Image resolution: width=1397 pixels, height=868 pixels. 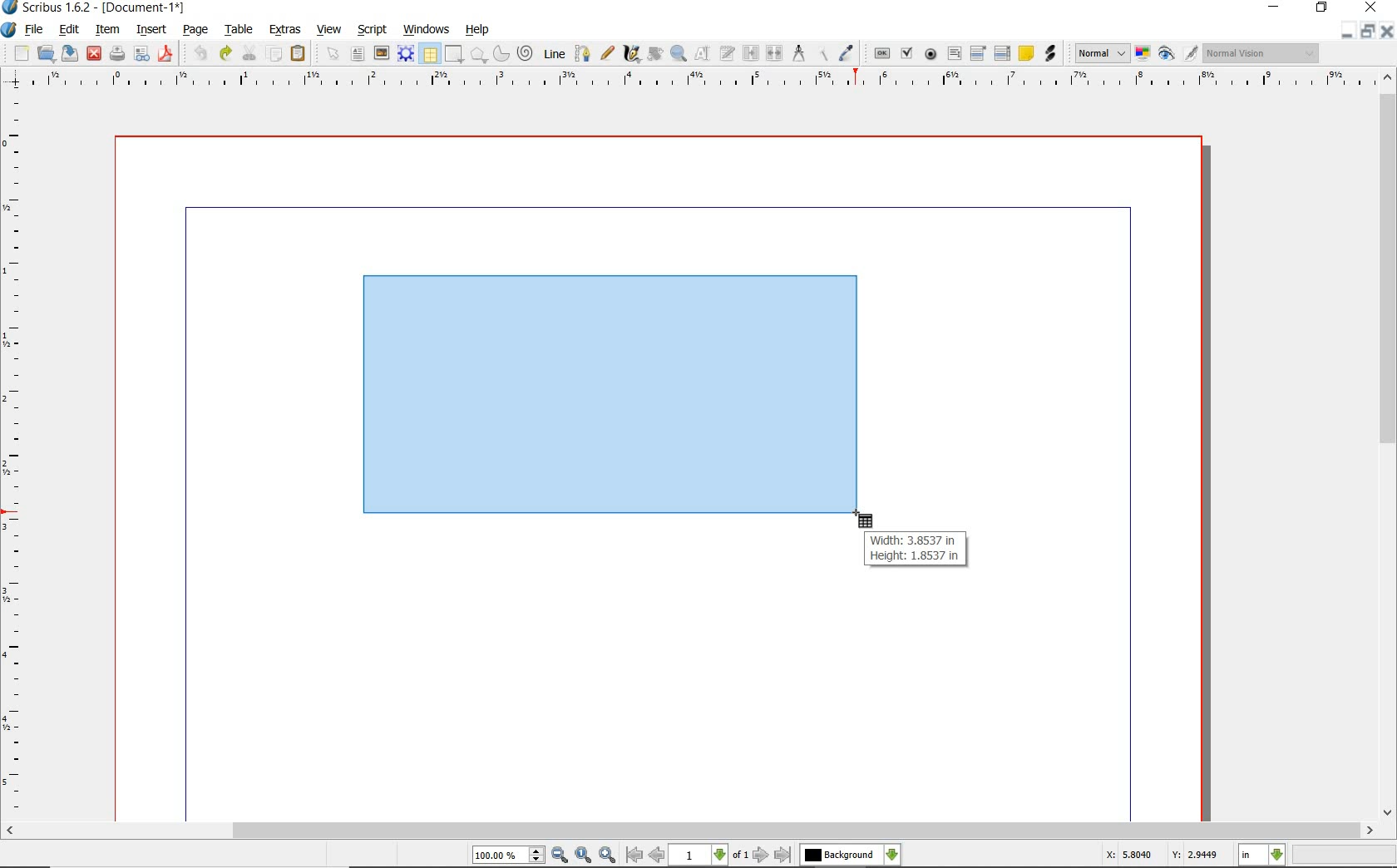 I want to click on freehand line, so click(x=609, y=54).